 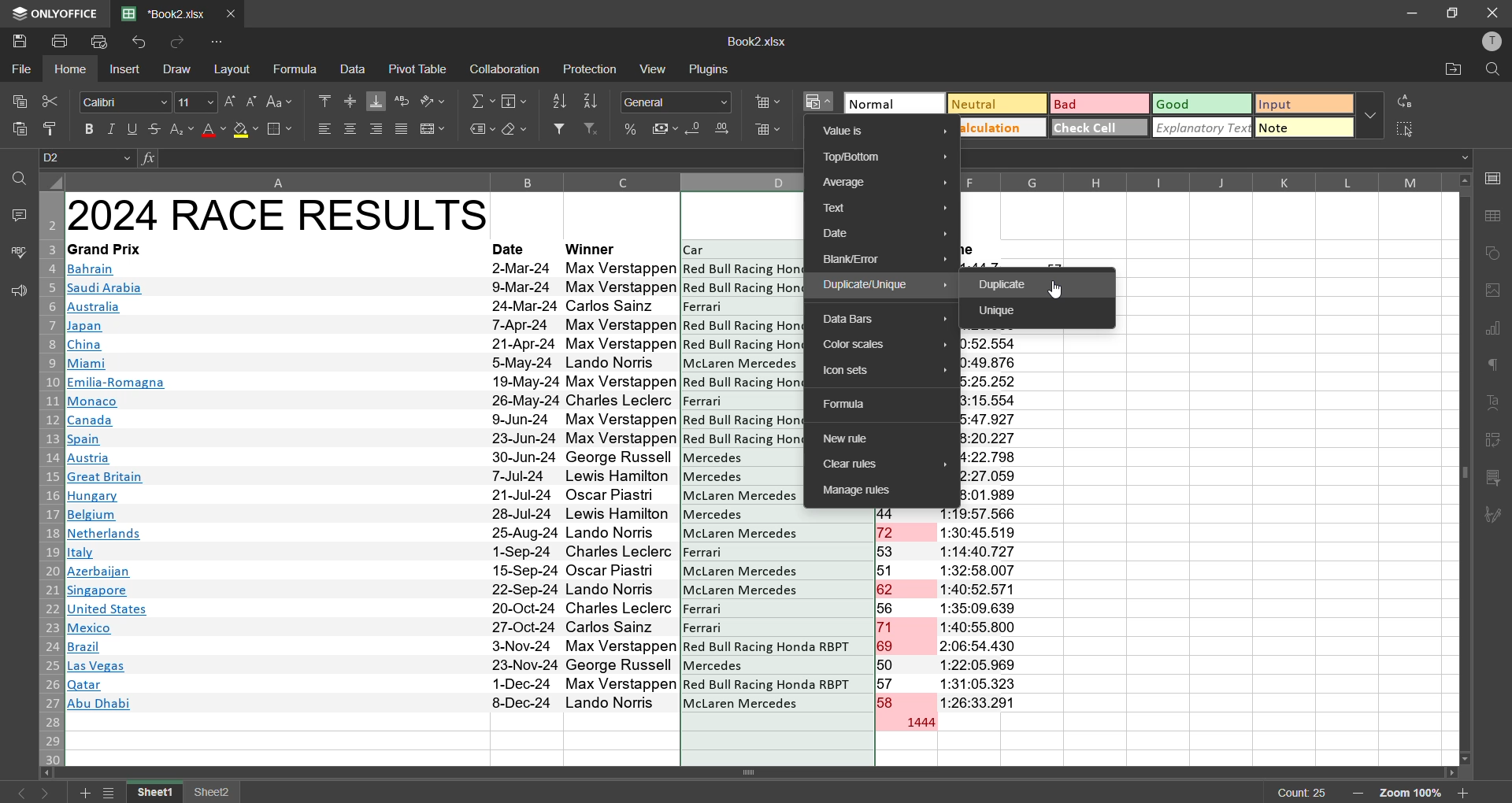 I want to click on data, so click(x=353, y=68).